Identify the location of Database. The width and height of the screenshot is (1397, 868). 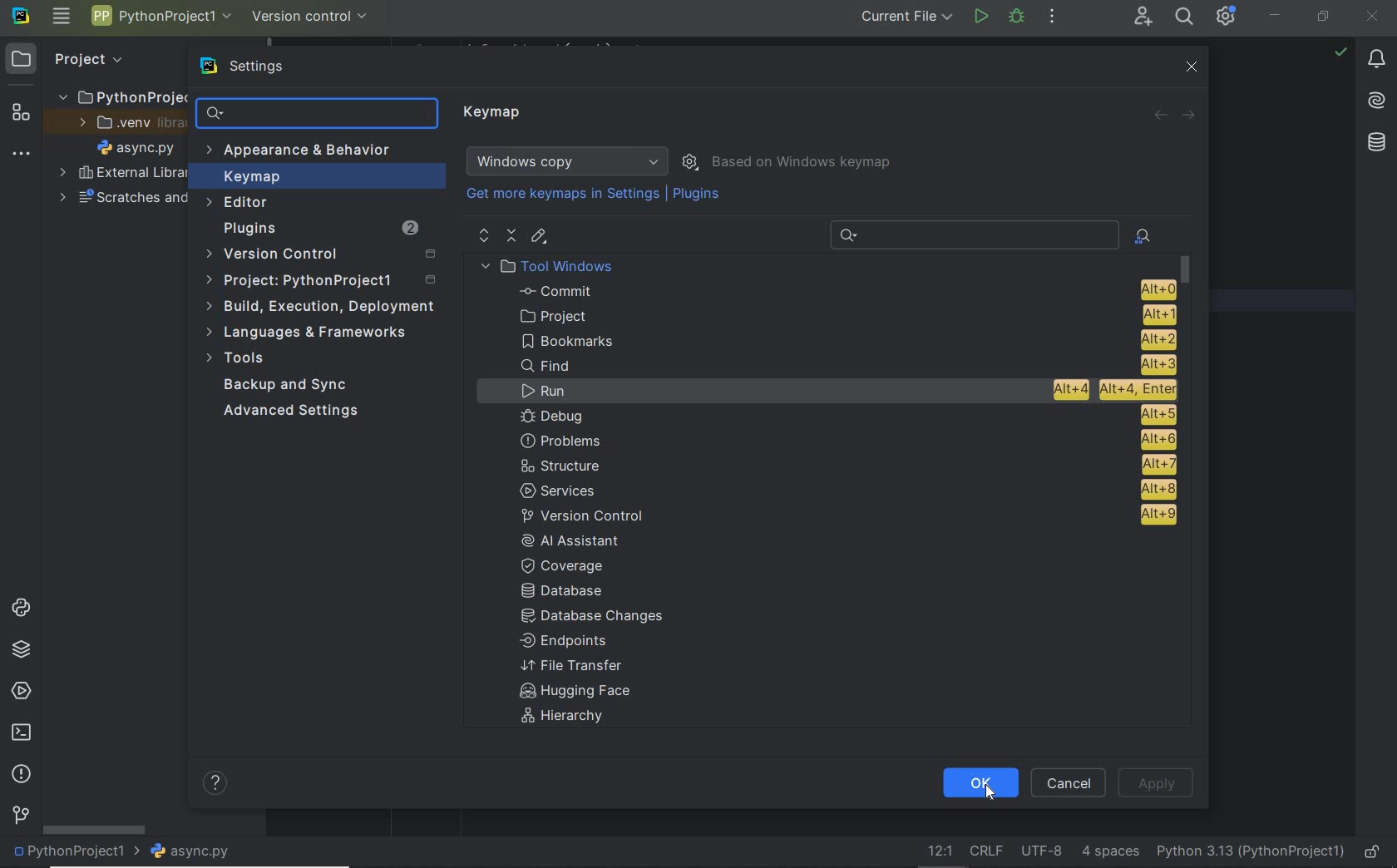
(567, 592).